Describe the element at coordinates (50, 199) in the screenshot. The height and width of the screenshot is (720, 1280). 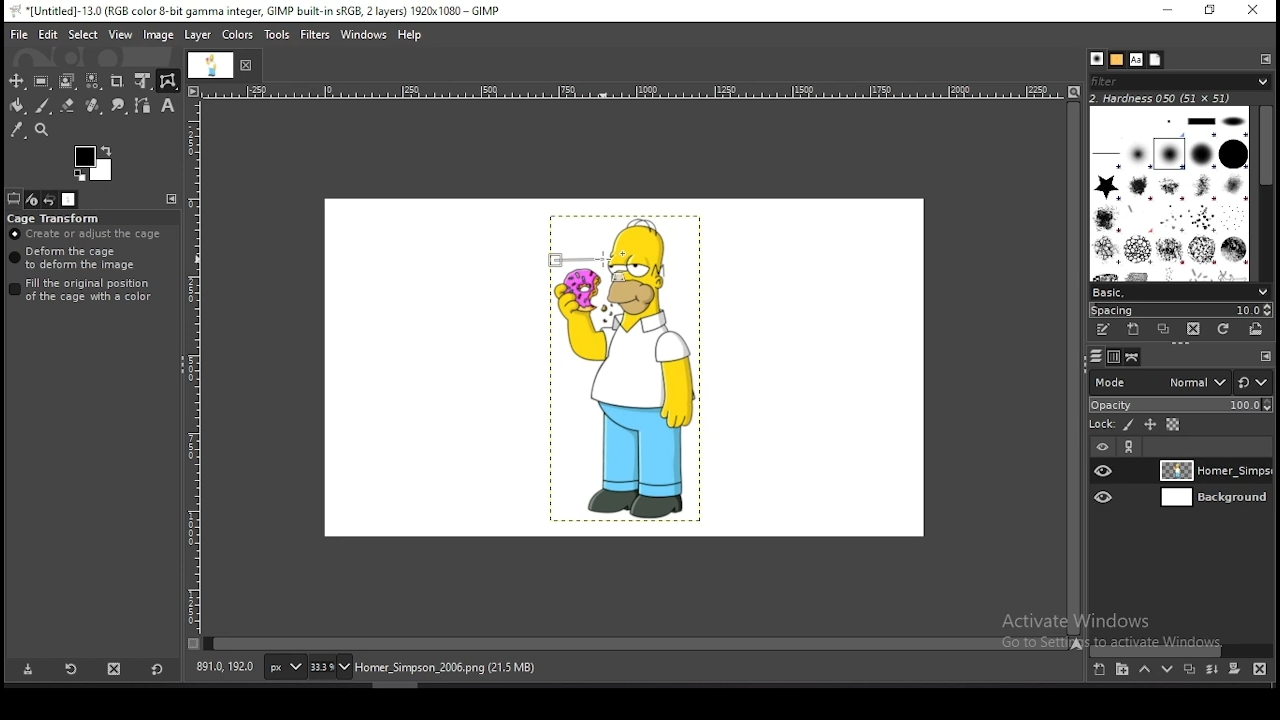
I see `undo history` at that location.